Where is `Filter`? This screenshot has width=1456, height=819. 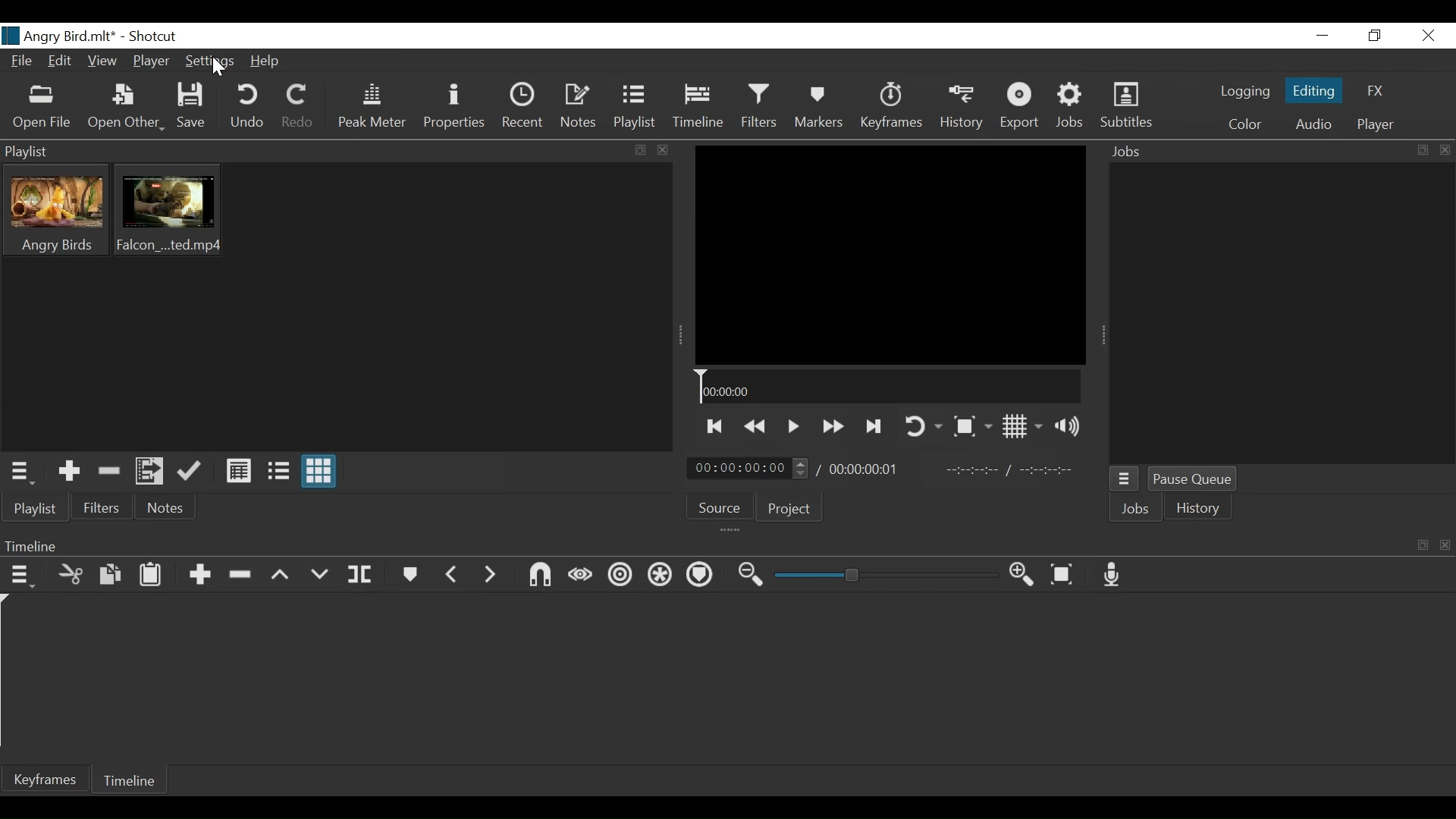
Filter is located at coordinates (102, 507).